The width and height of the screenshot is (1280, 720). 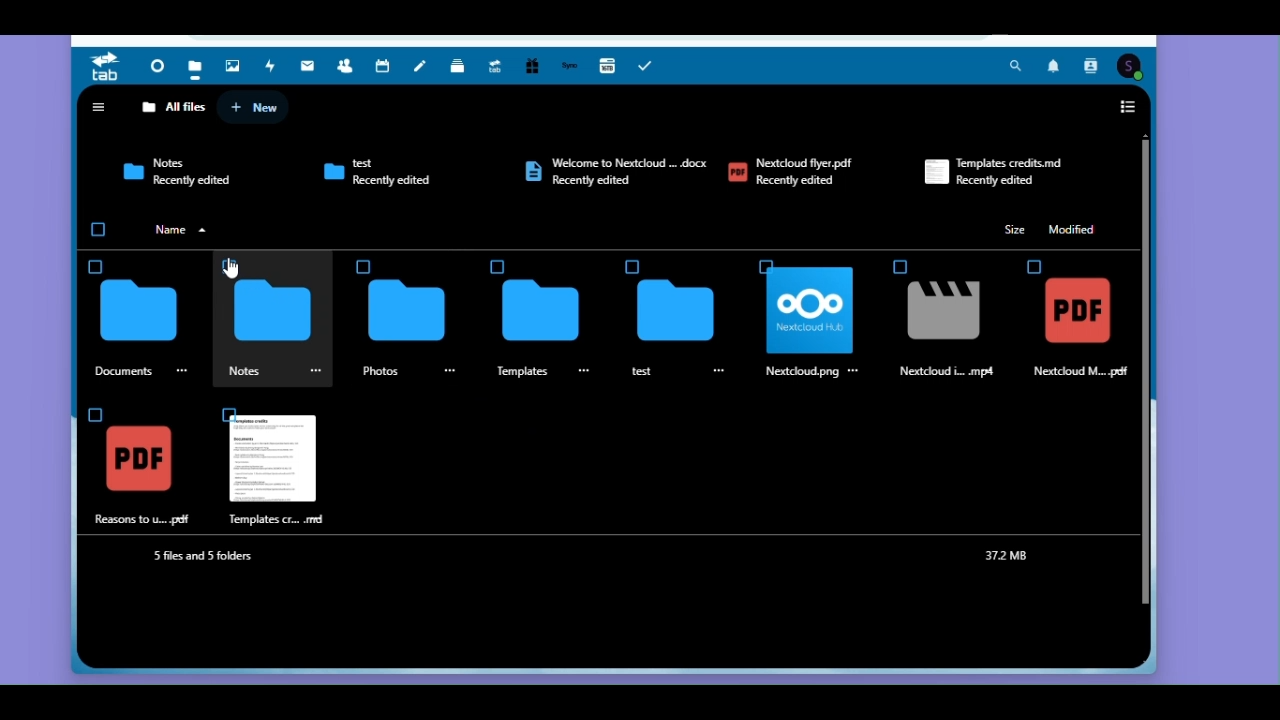 What do you see at coordinates (801, 373) in the screenshot?
I see `Nextdoud.png` at bounding box center [801, 373].